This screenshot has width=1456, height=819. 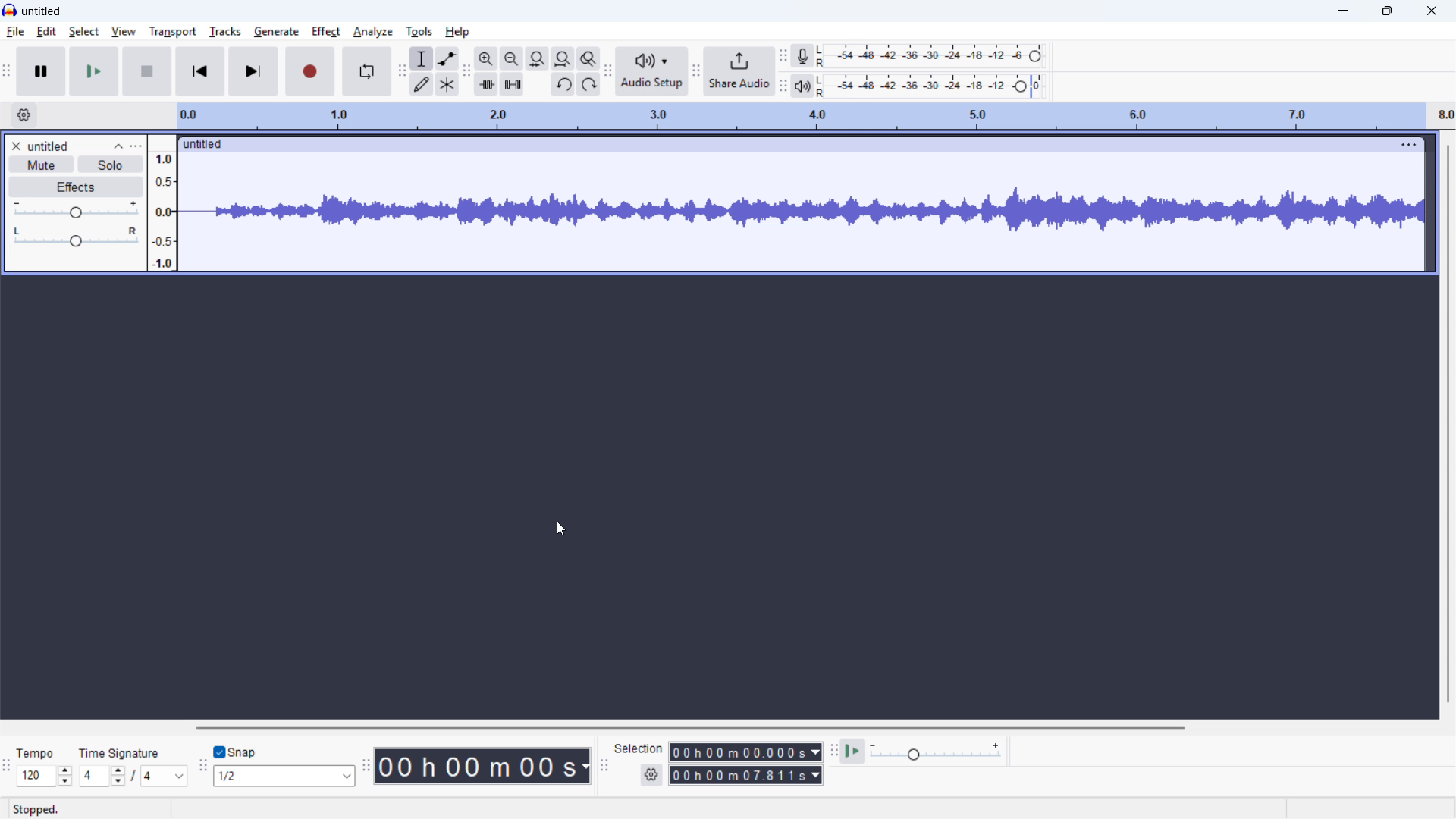 What do you see at coordinates (466, 73) in the screenshot?
I see `Edit toolbar ` at bounding box center [466, 73].